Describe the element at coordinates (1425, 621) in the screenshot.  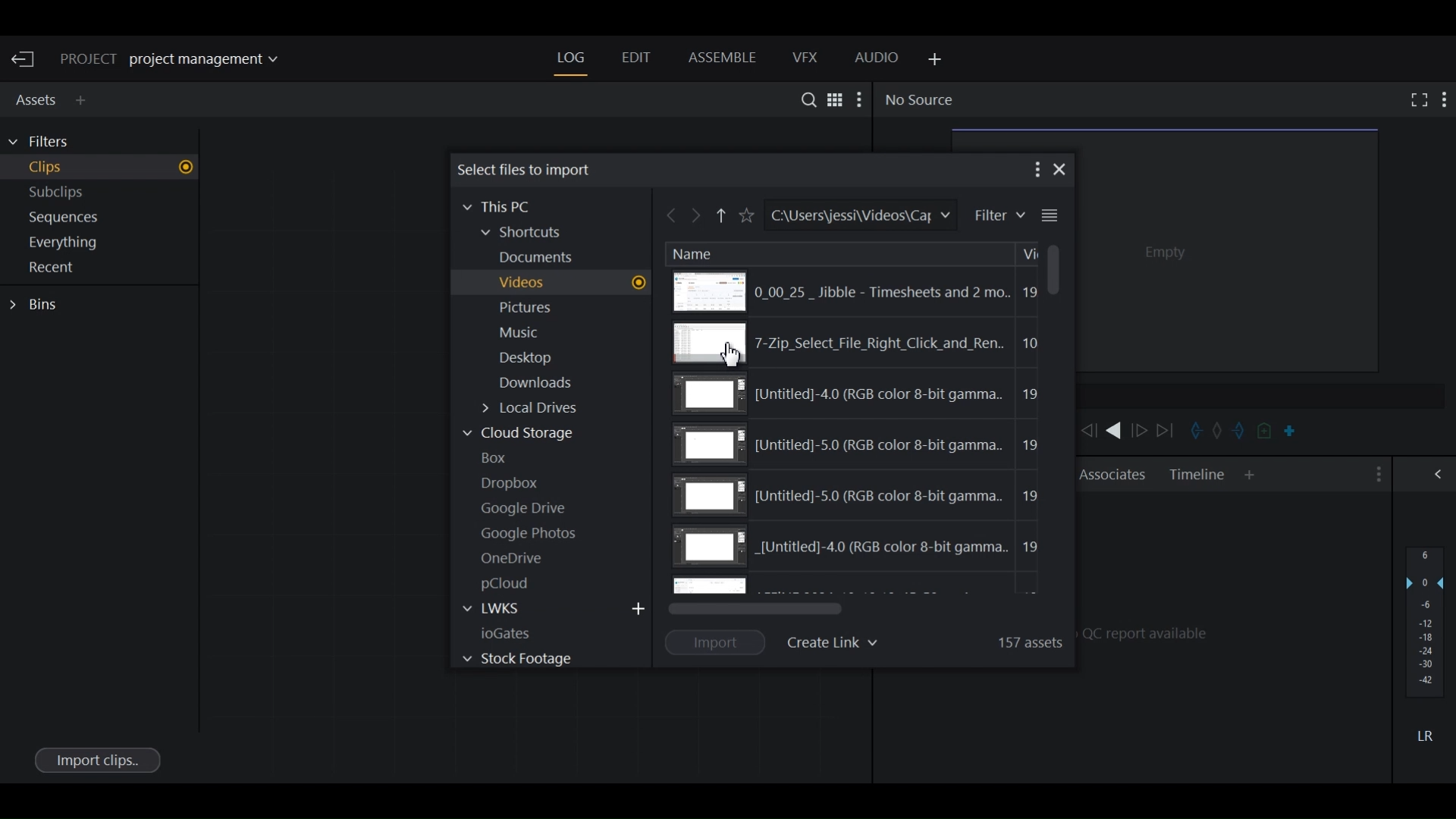
I see `Audio output levels` at that location.